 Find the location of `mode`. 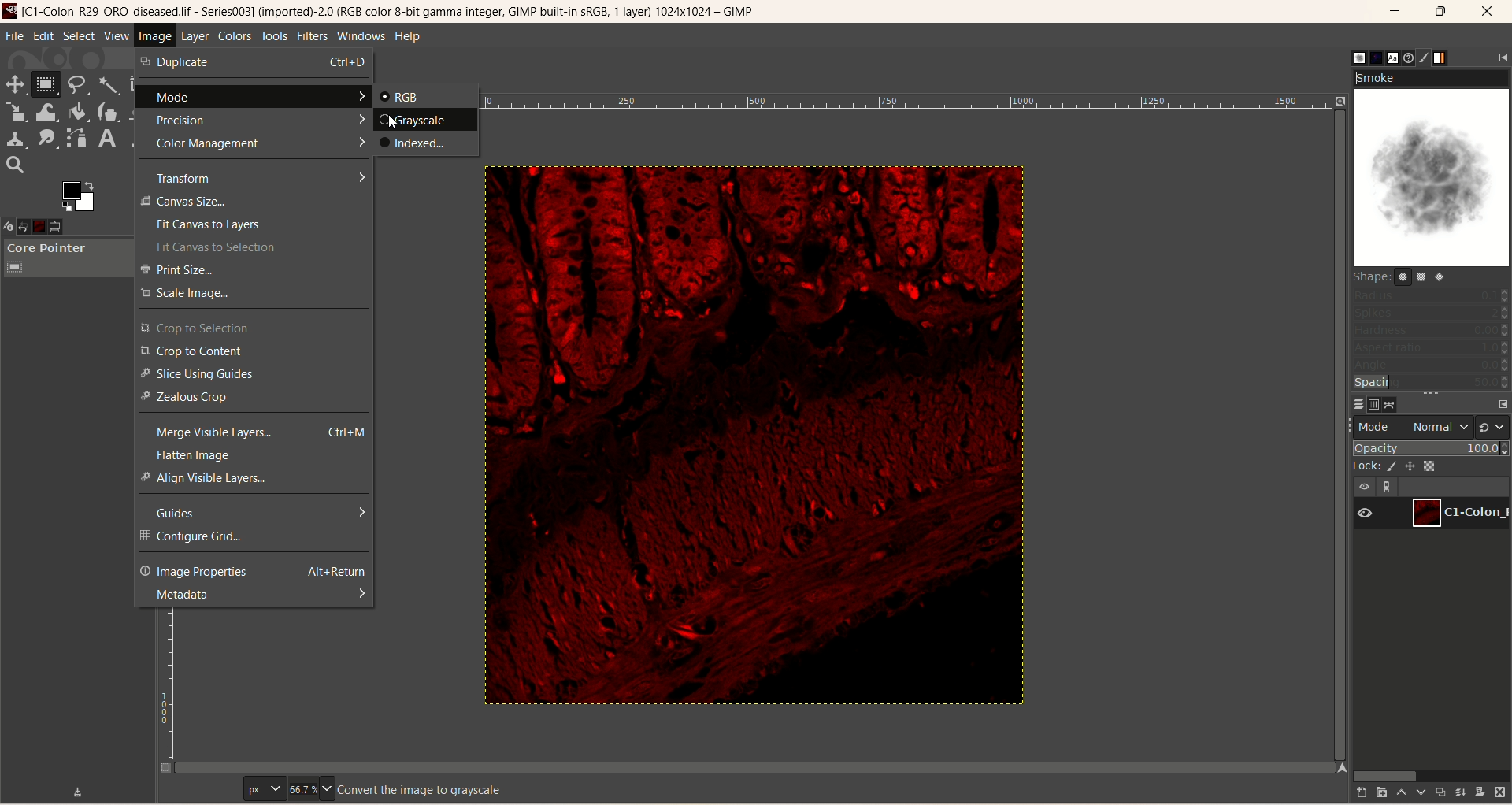

mode is located at coordinates (1375, 426).